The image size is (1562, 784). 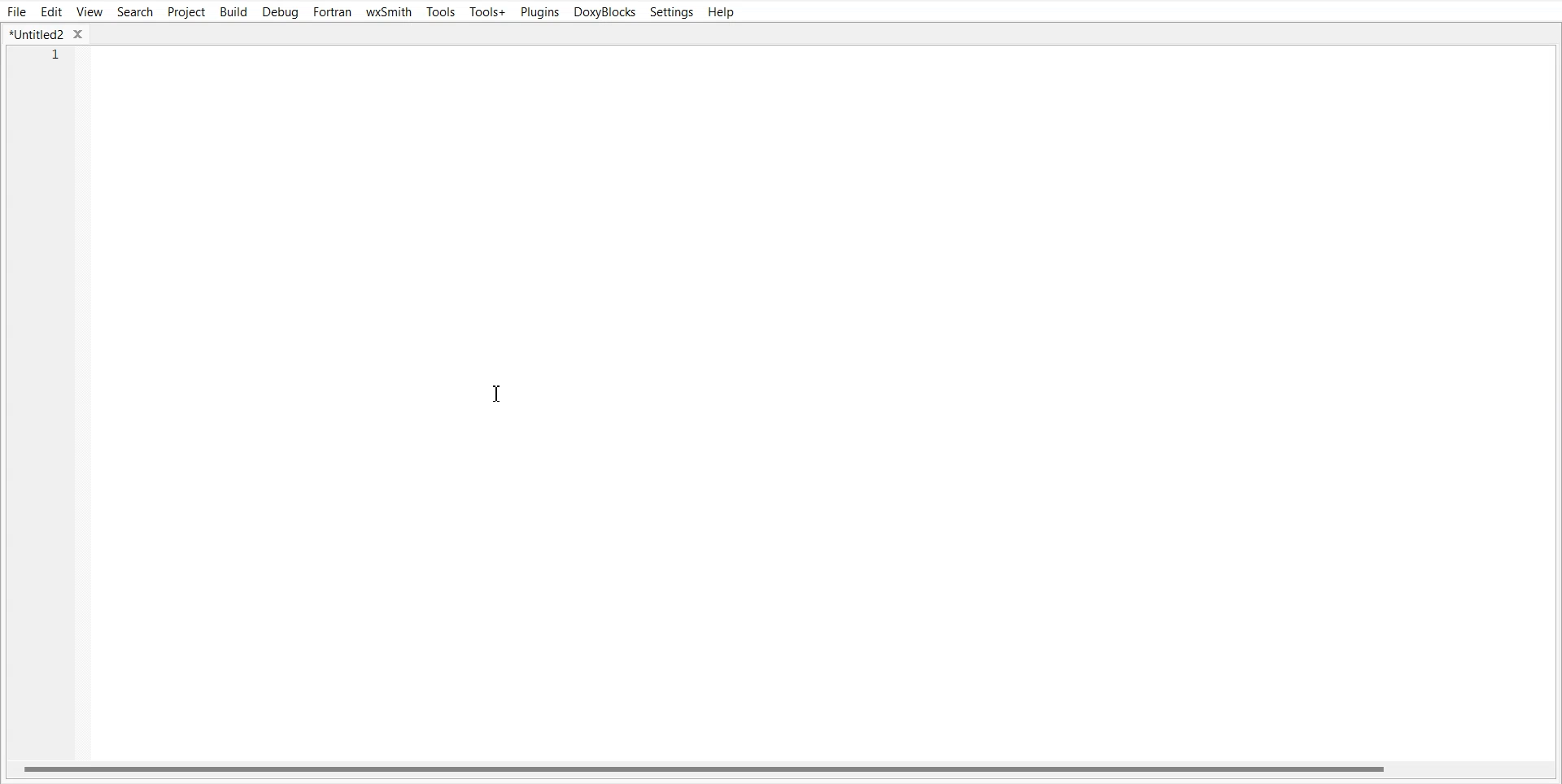 I want to click on Build, so click(x=233, y=11).